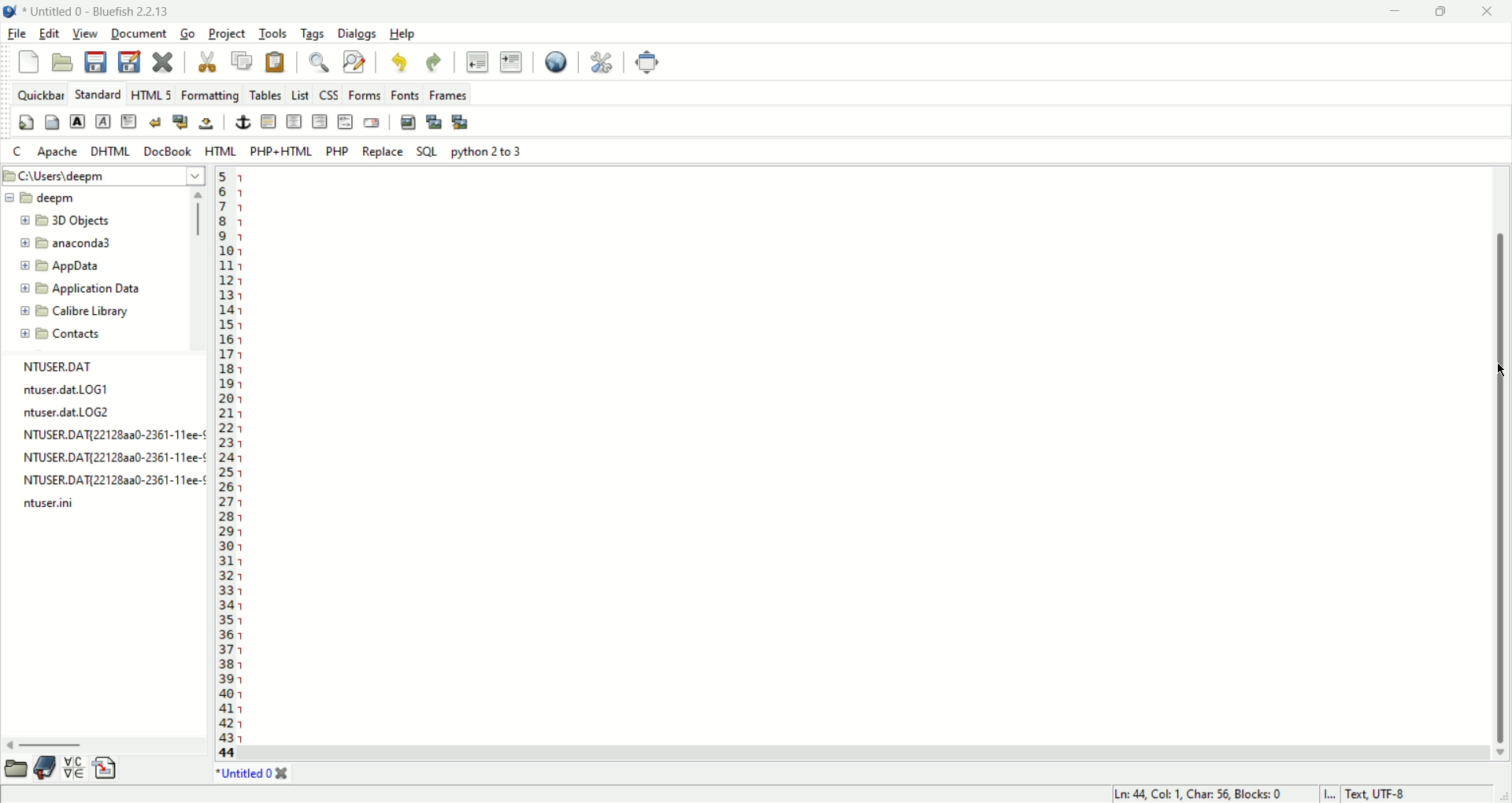  What do you see at coordinates (435, 65) in the screenshot?
I see `redo` at bounding box center [435, 65].